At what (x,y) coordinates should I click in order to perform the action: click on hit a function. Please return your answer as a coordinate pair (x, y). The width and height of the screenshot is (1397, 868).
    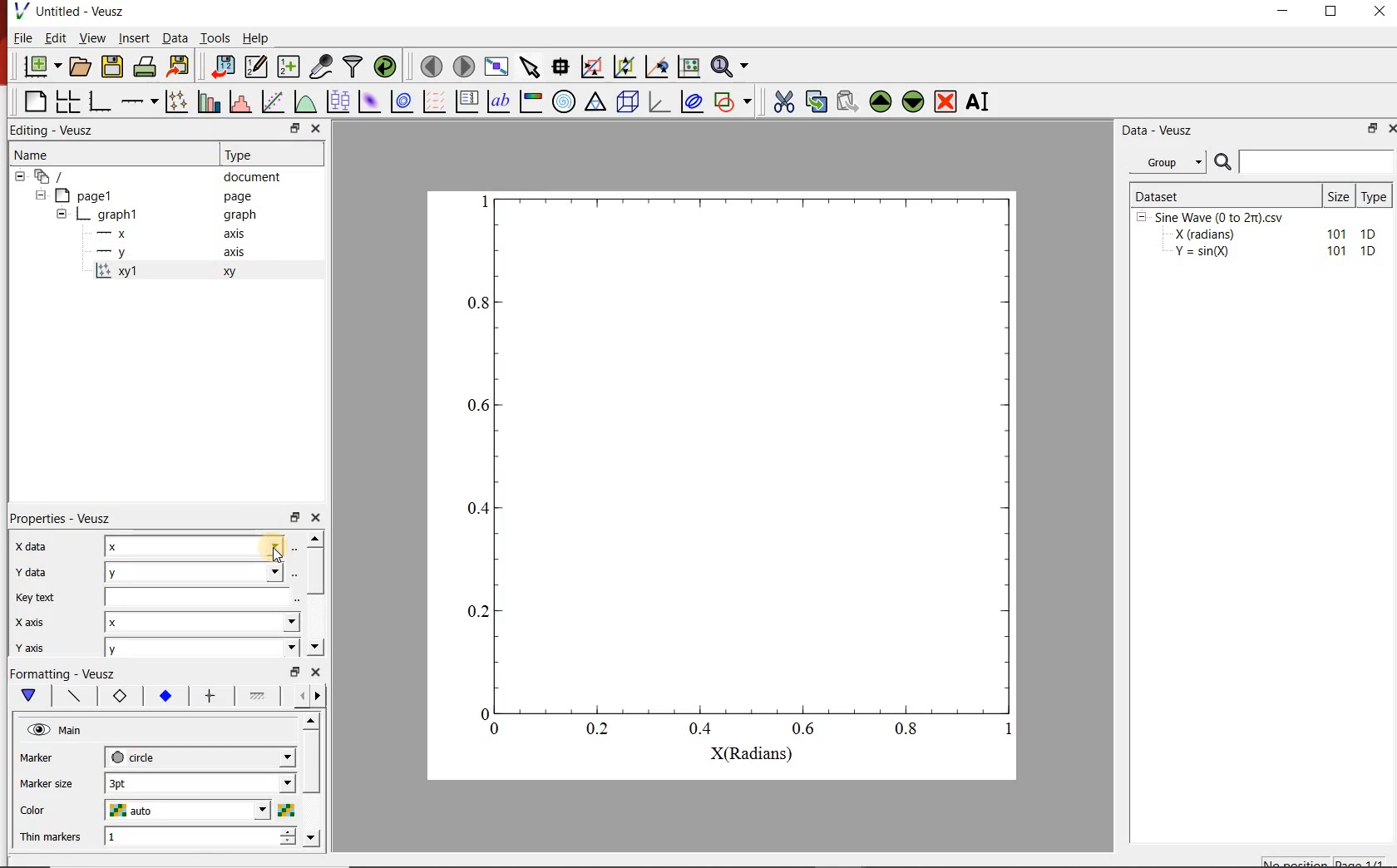
    Looking at the image, I should click on (274, 101).